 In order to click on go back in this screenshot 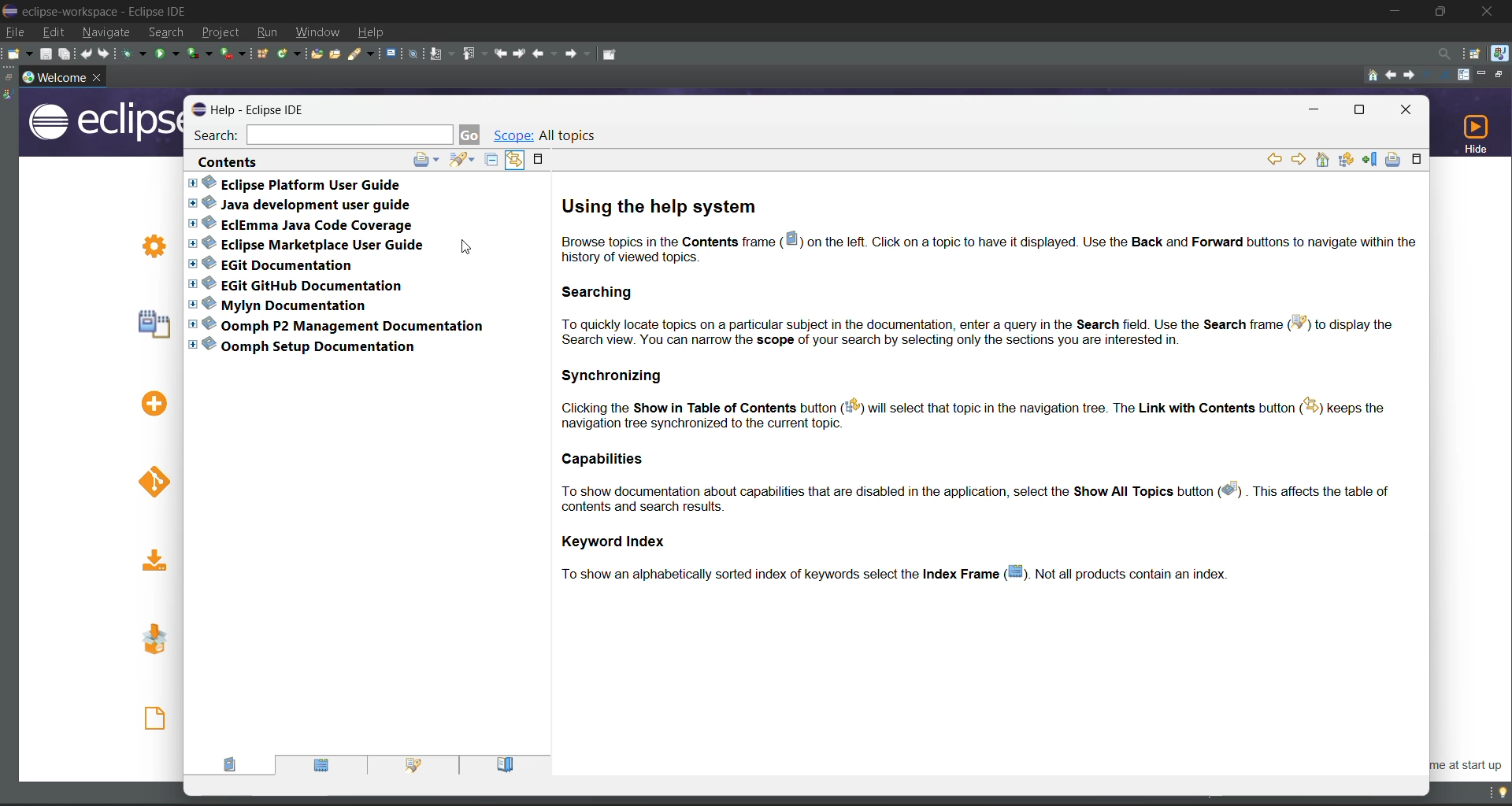, I will do `click(1273, 158)`.